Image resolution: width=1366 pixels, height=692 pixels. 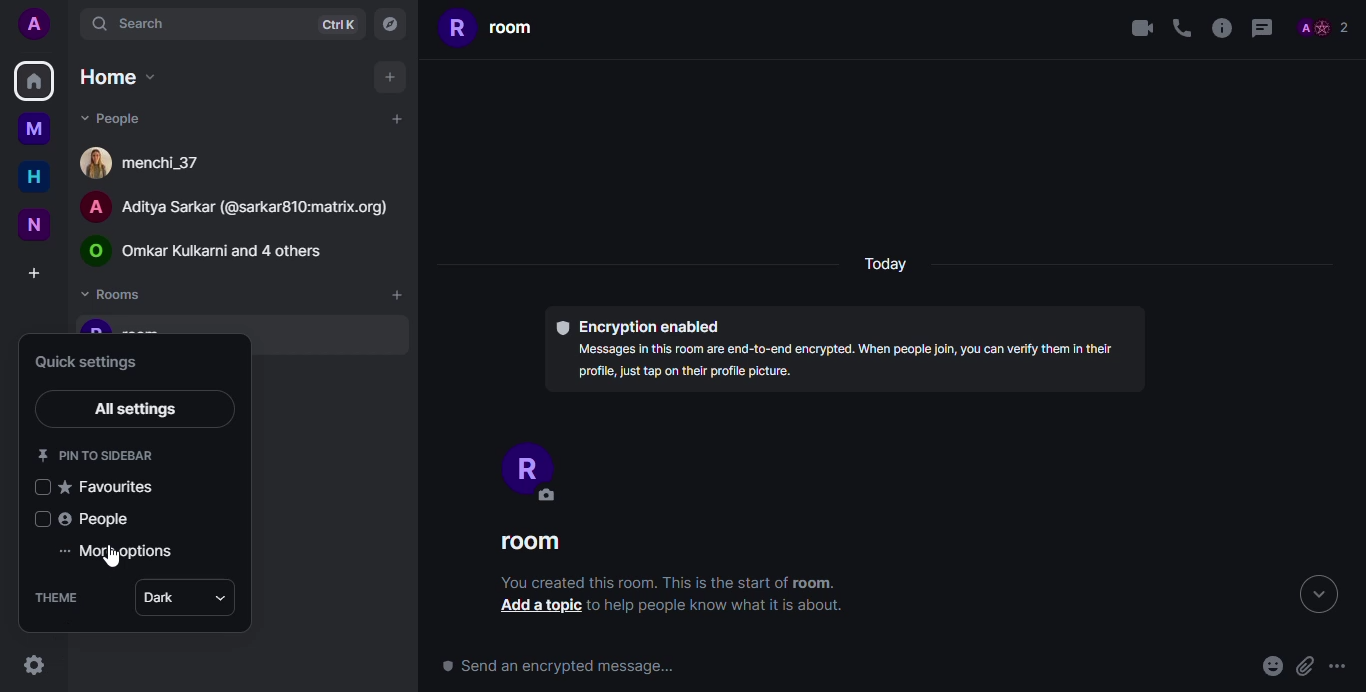 I want to click on menchi_37 room , so click(x=143, y=162).